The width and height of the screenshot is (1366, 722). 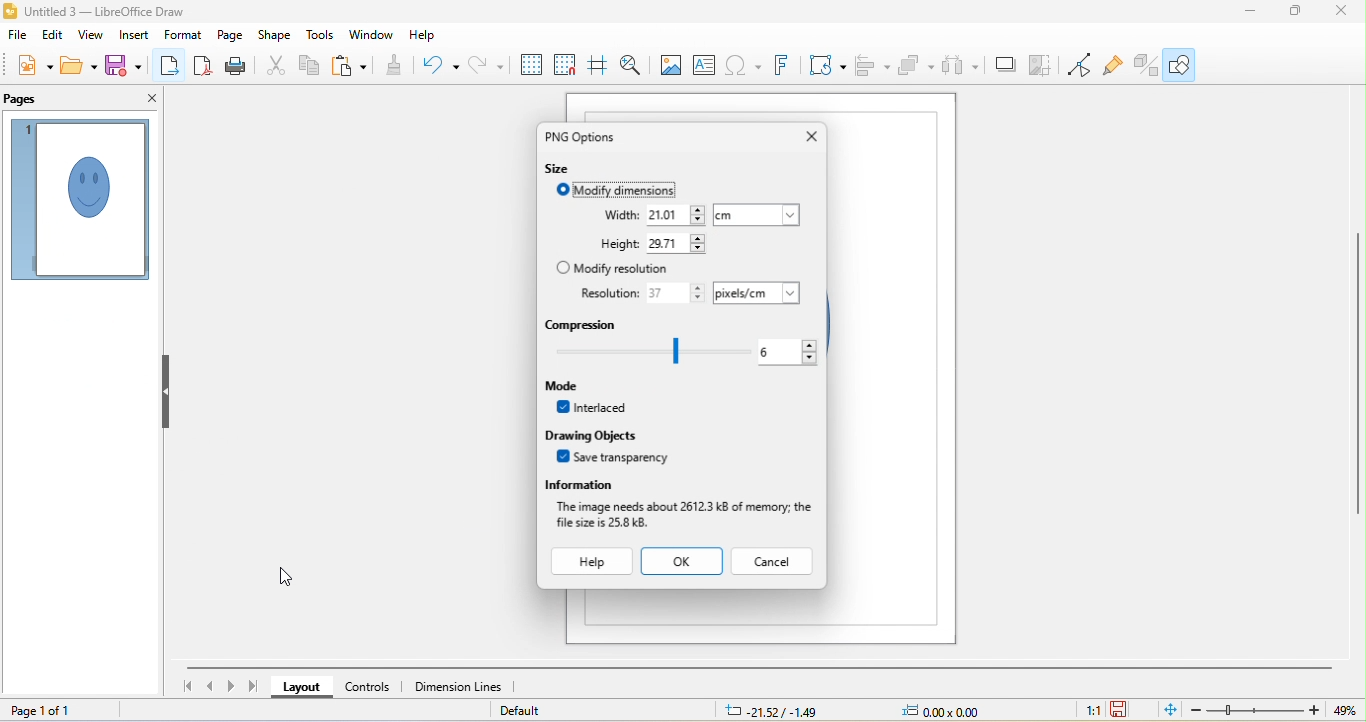 I want to click on compression, so click(x=582, y=325).